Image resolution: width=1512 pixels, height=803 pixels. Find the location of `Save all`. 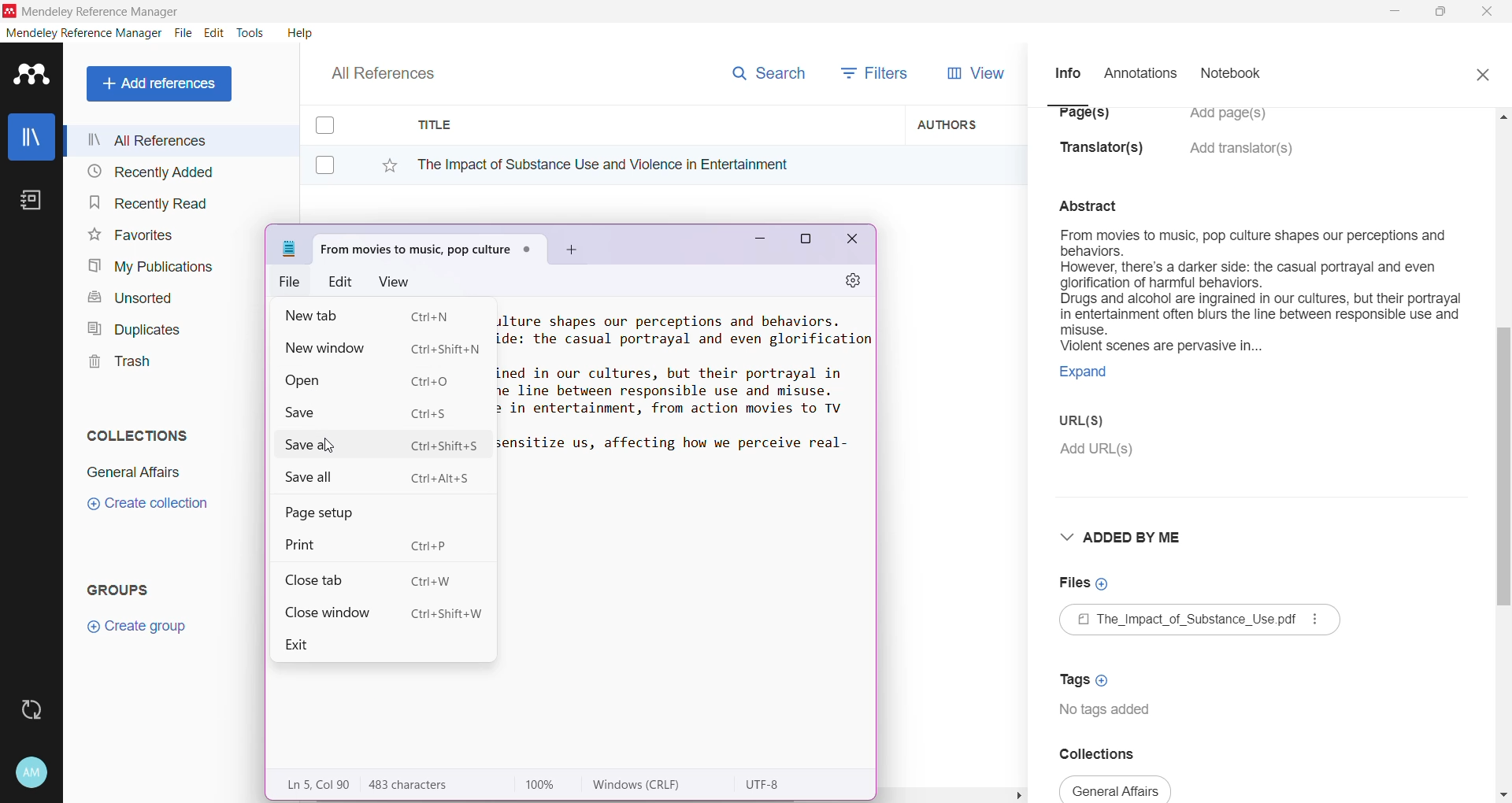

Save all is located at coordinates (380, 479).